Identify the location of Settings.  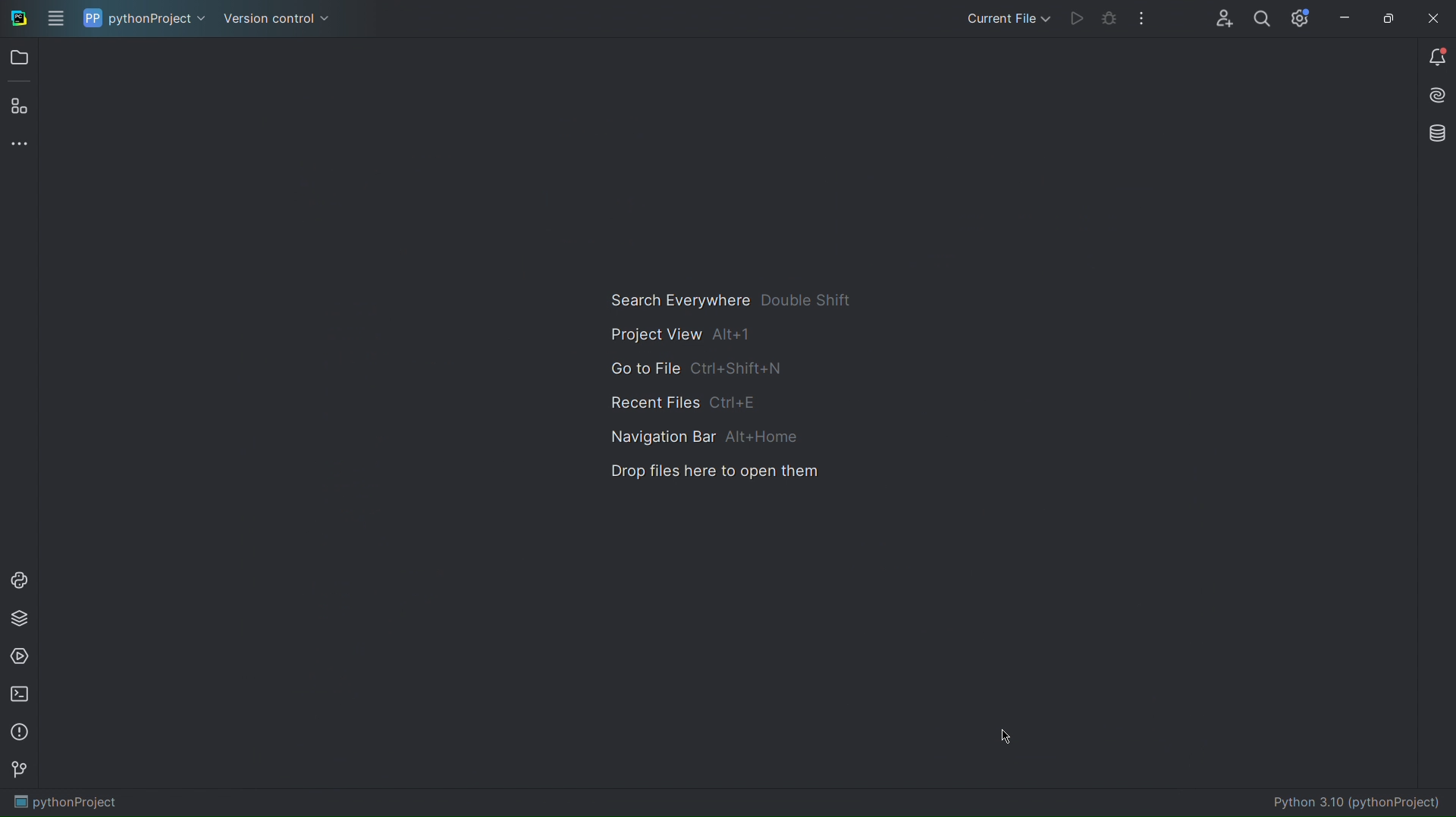
(1301, 17).